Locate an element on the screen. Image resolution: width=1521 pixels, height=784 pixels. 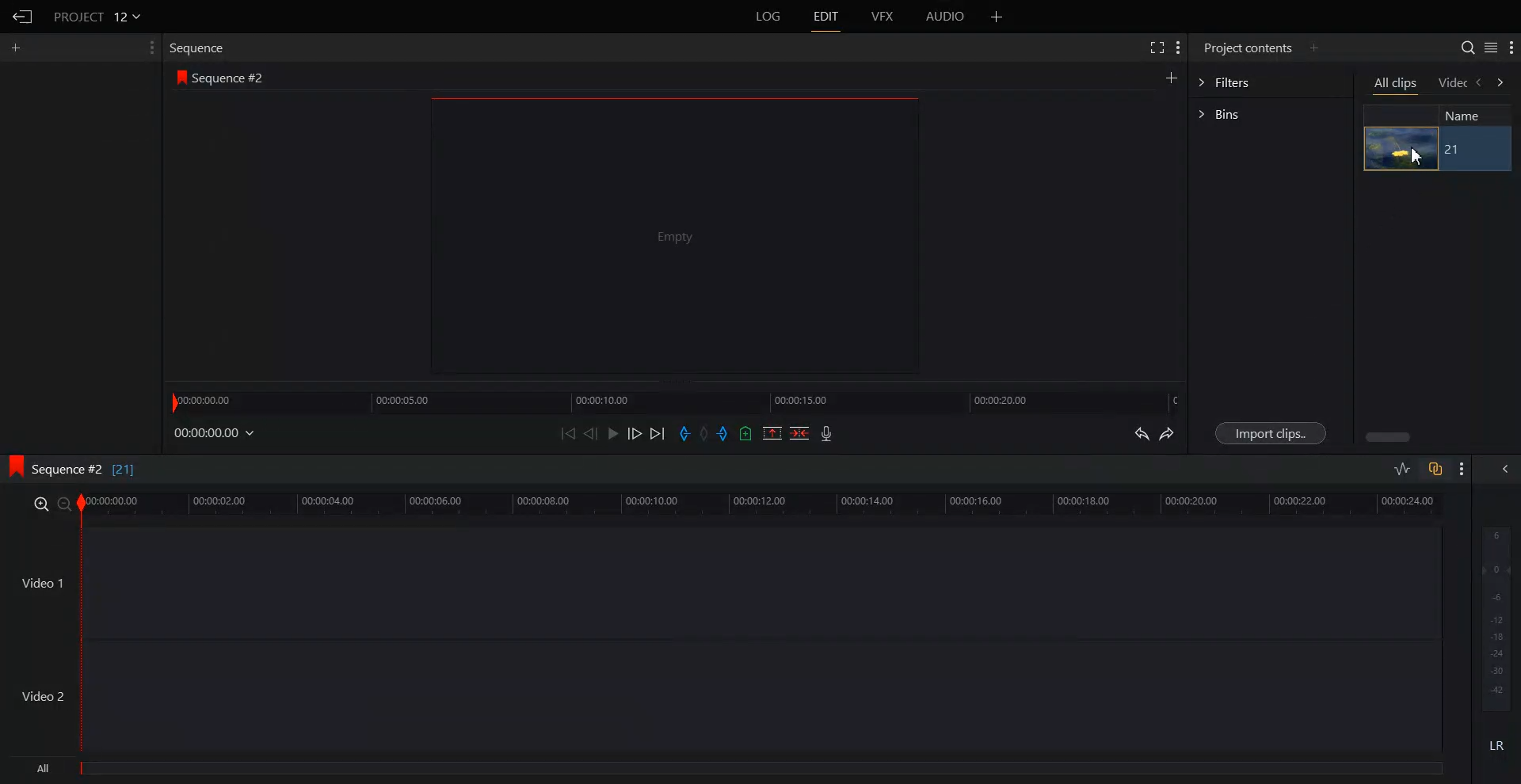
LR is located at coordinates (1497, 742).